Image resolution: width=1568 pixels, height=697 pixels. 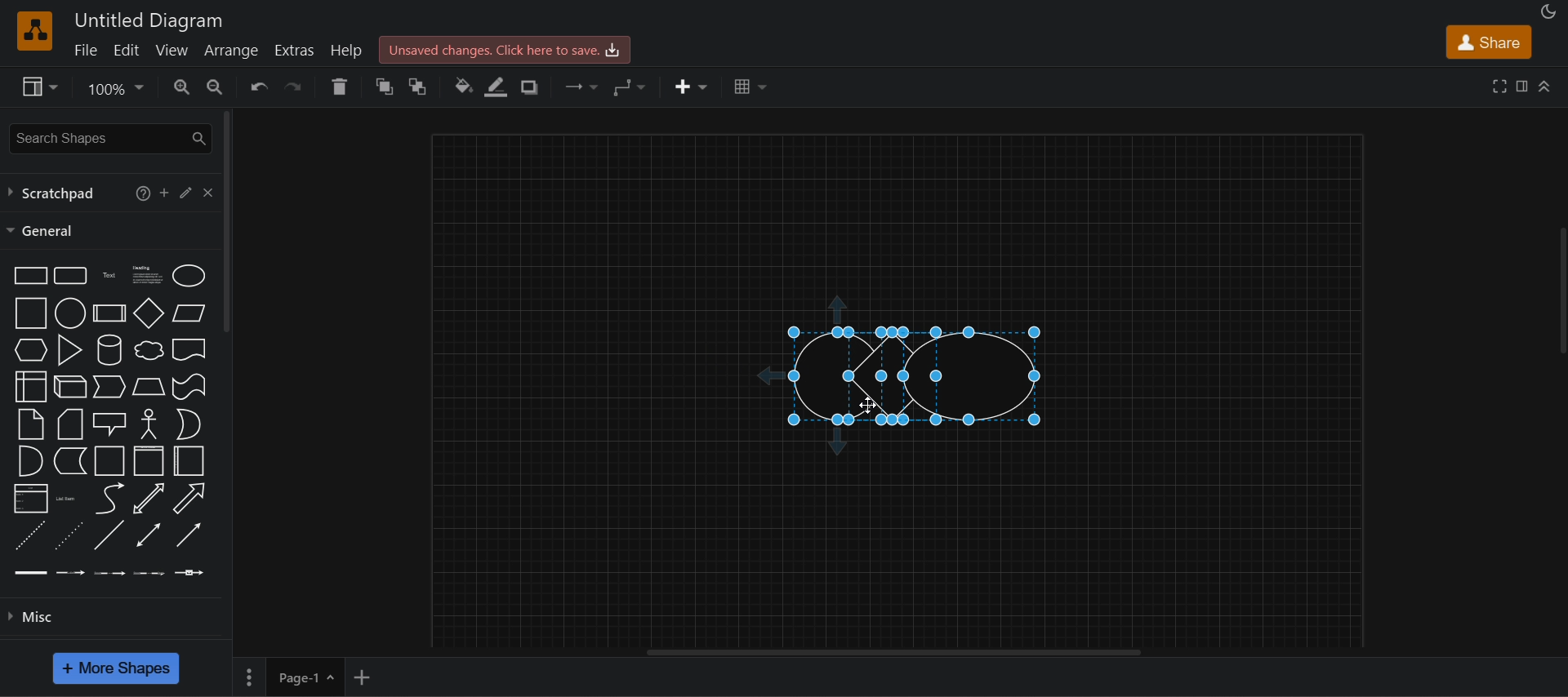 I want to click on fullscreen, so click(x=1500, y=85).